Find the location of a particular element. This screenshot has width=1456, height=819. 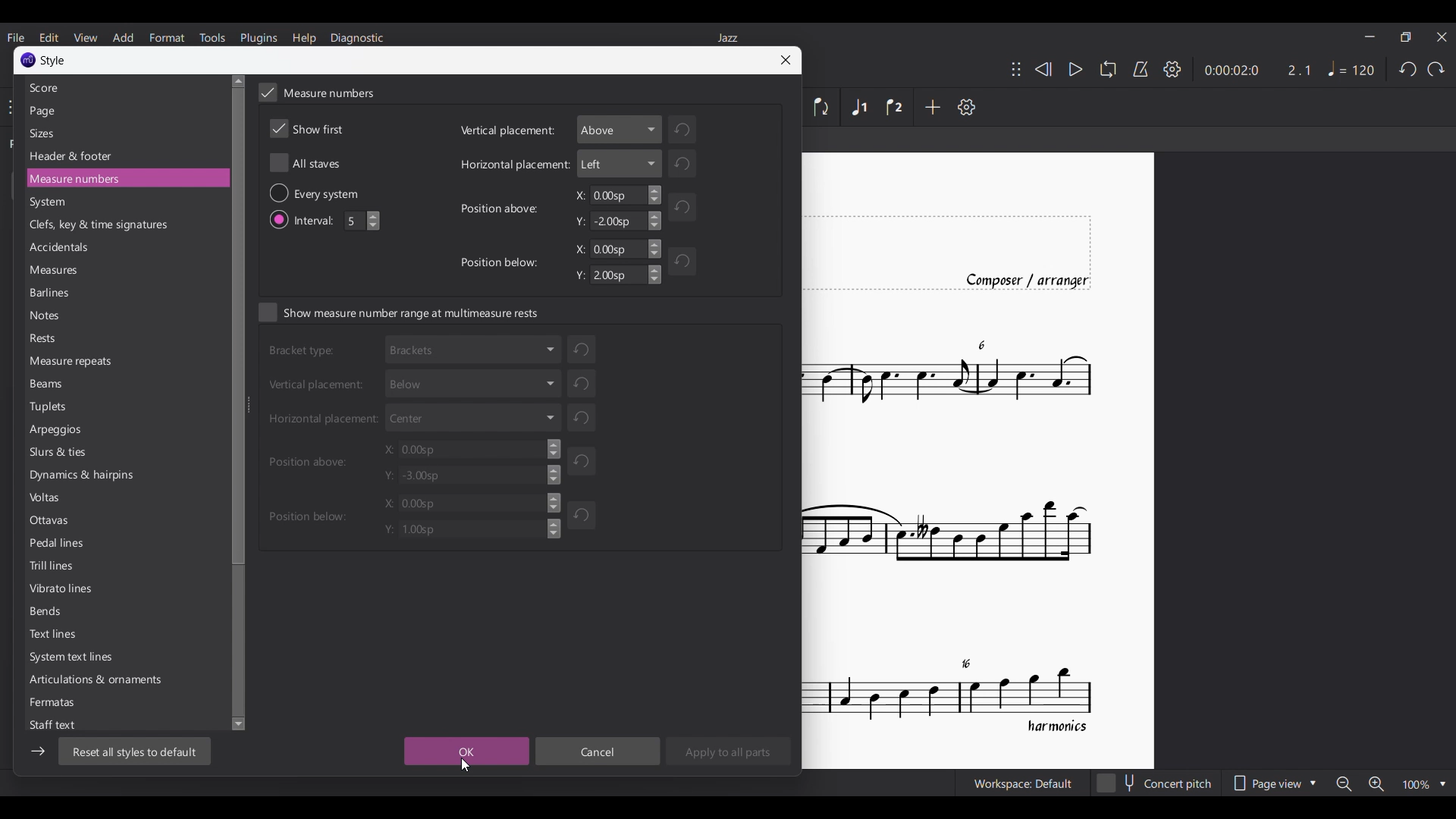

Below is located at coordinates (471, 381).